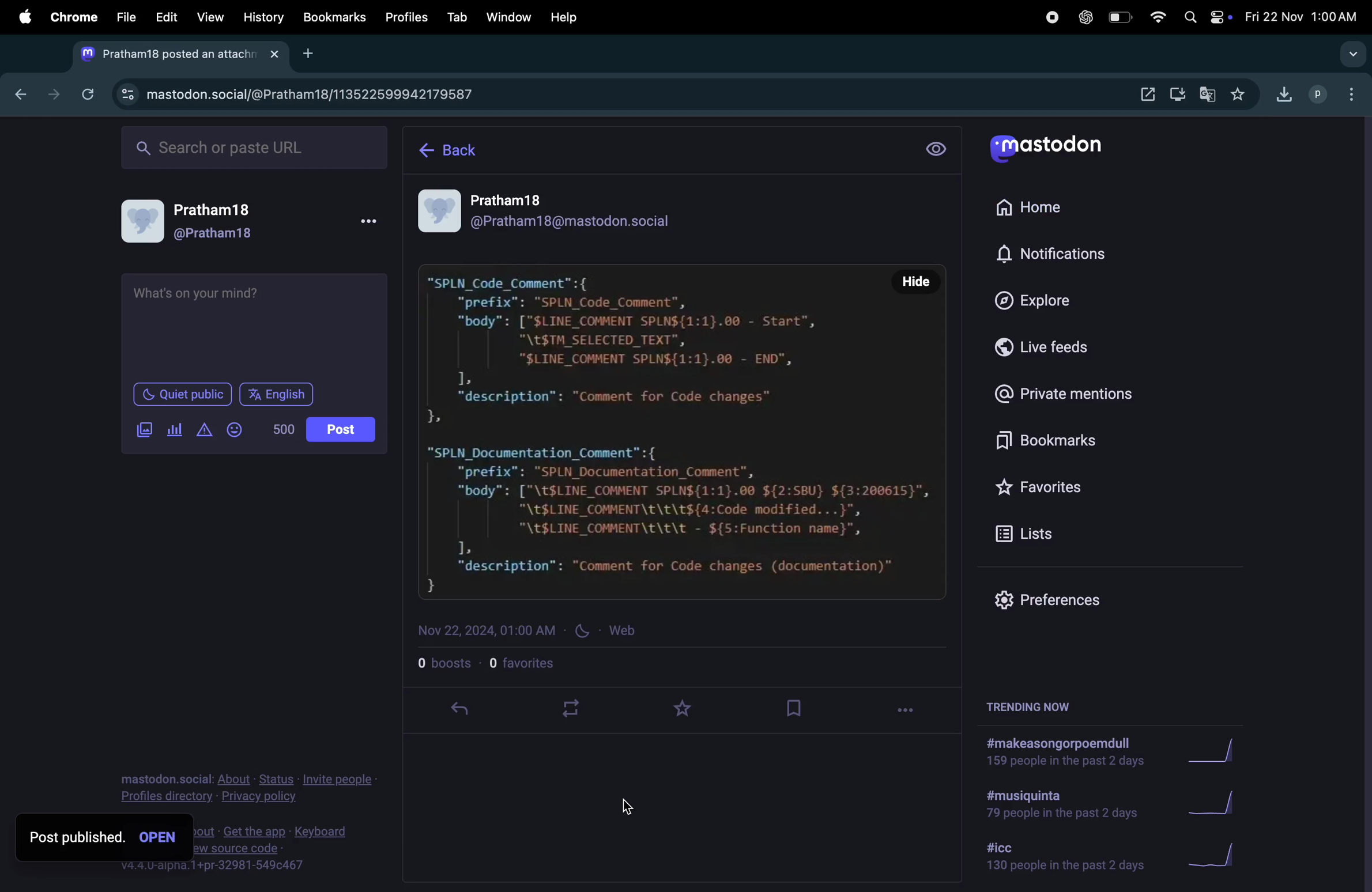 The image size is (1372, 892). What do you see at coordinates (1063, 596) in the screenshot?
I see `prefrences` at bounding box center [1063, 596].